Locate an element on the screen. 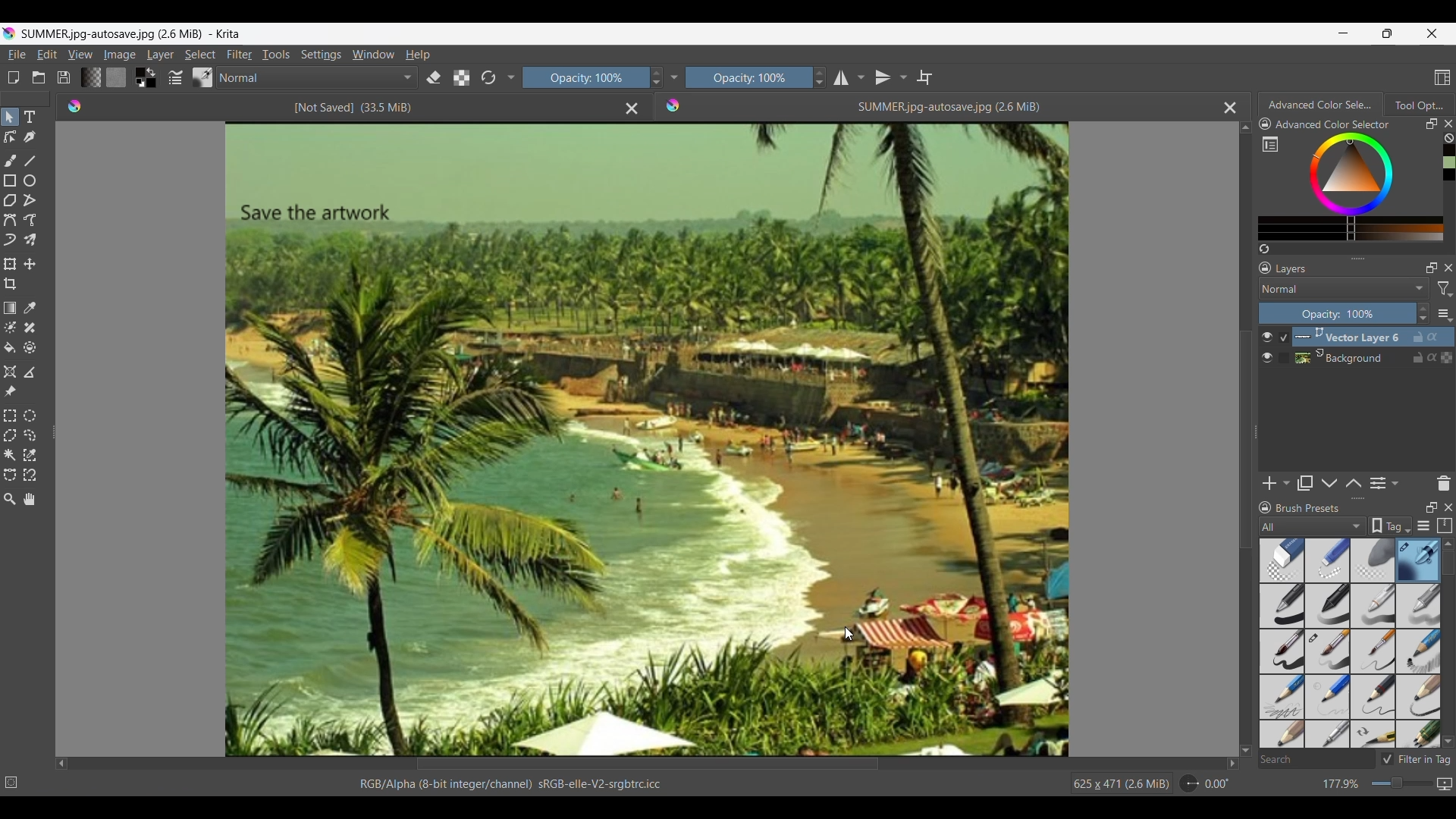  Polyline tool is located at coordinates (31, 200).